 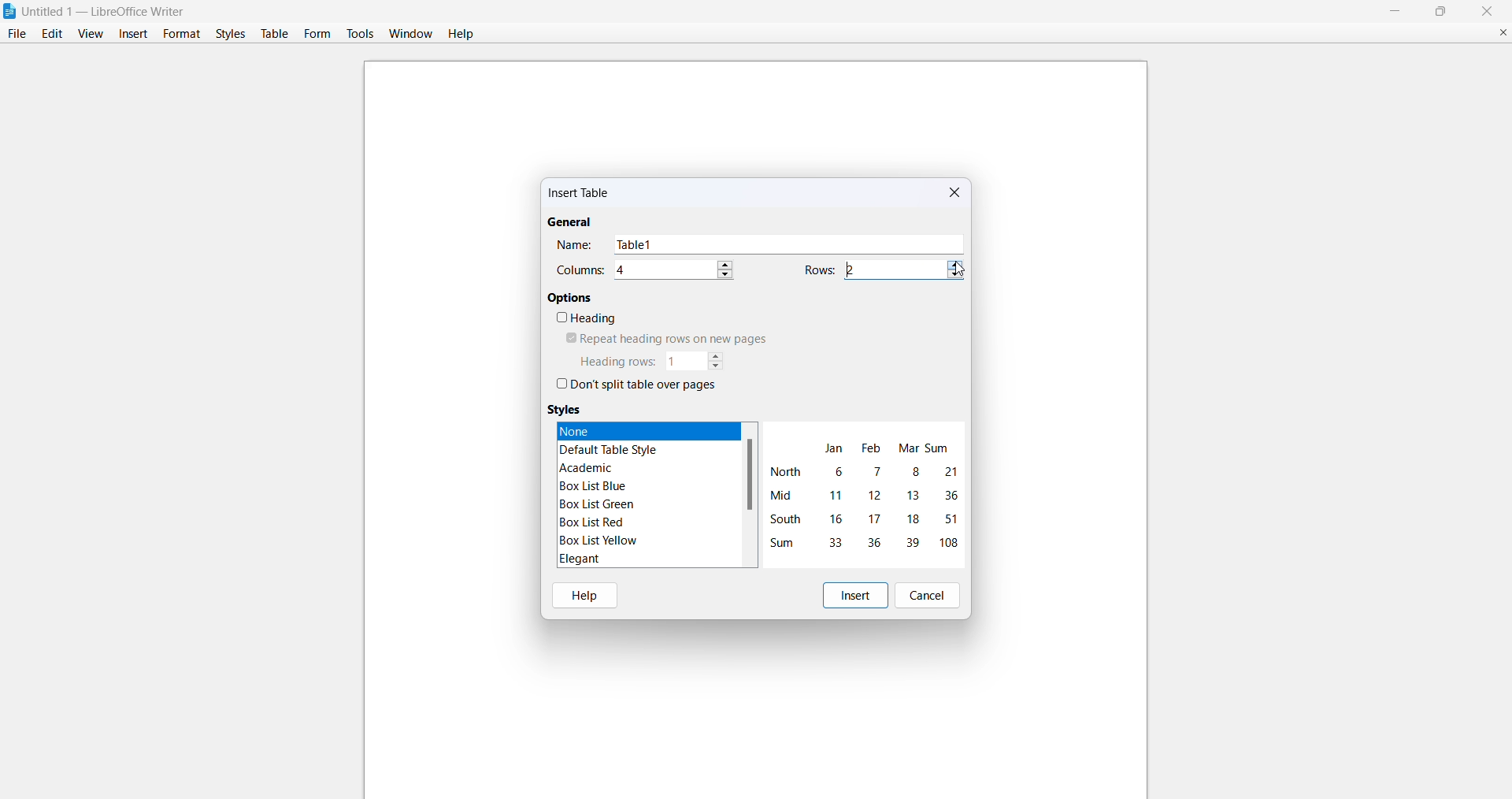 I want to click on file, so click(x=15, y=34).